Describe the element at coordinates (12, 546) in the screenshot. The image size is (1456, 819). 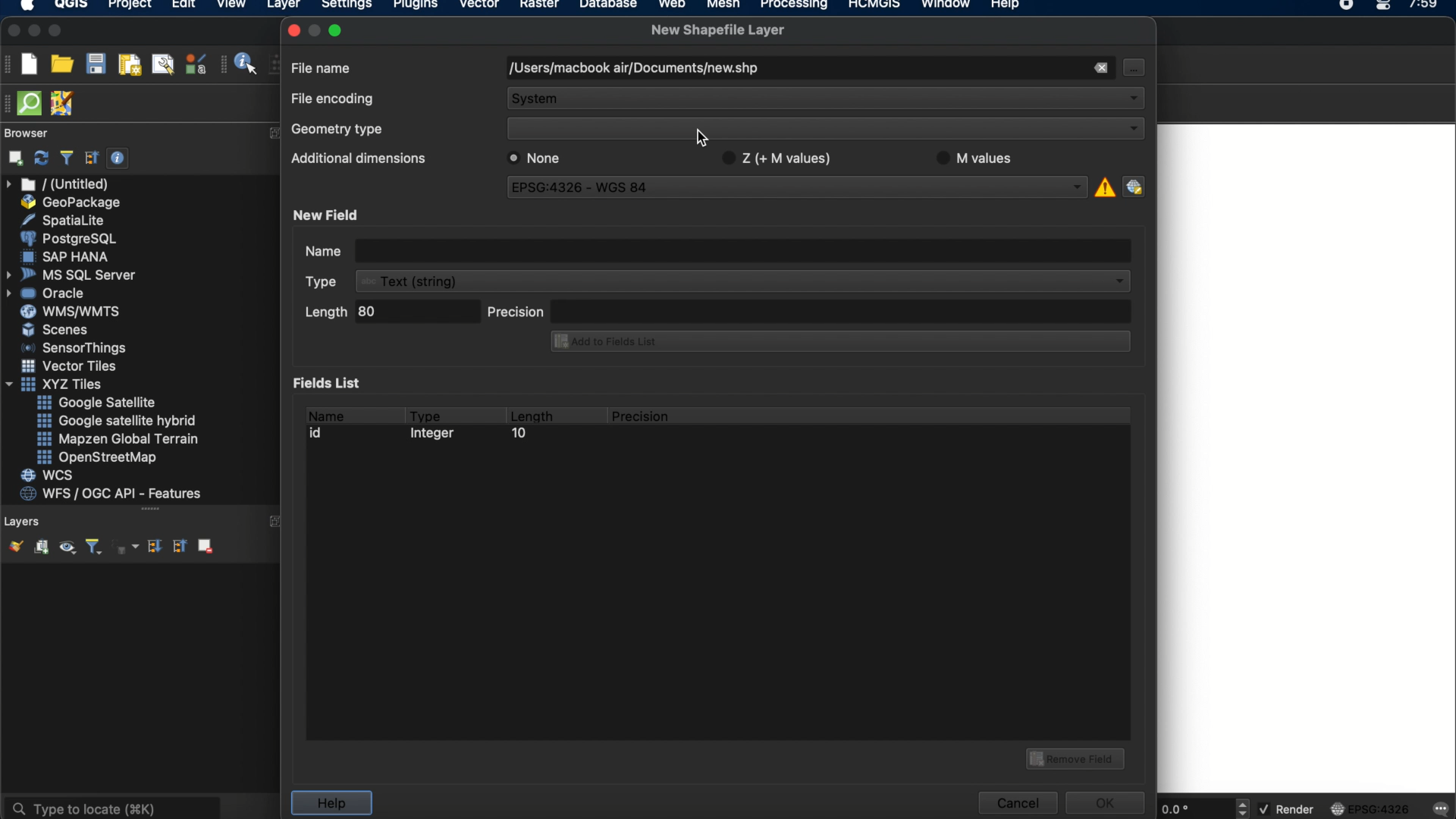
I see `open the layer` at that location.